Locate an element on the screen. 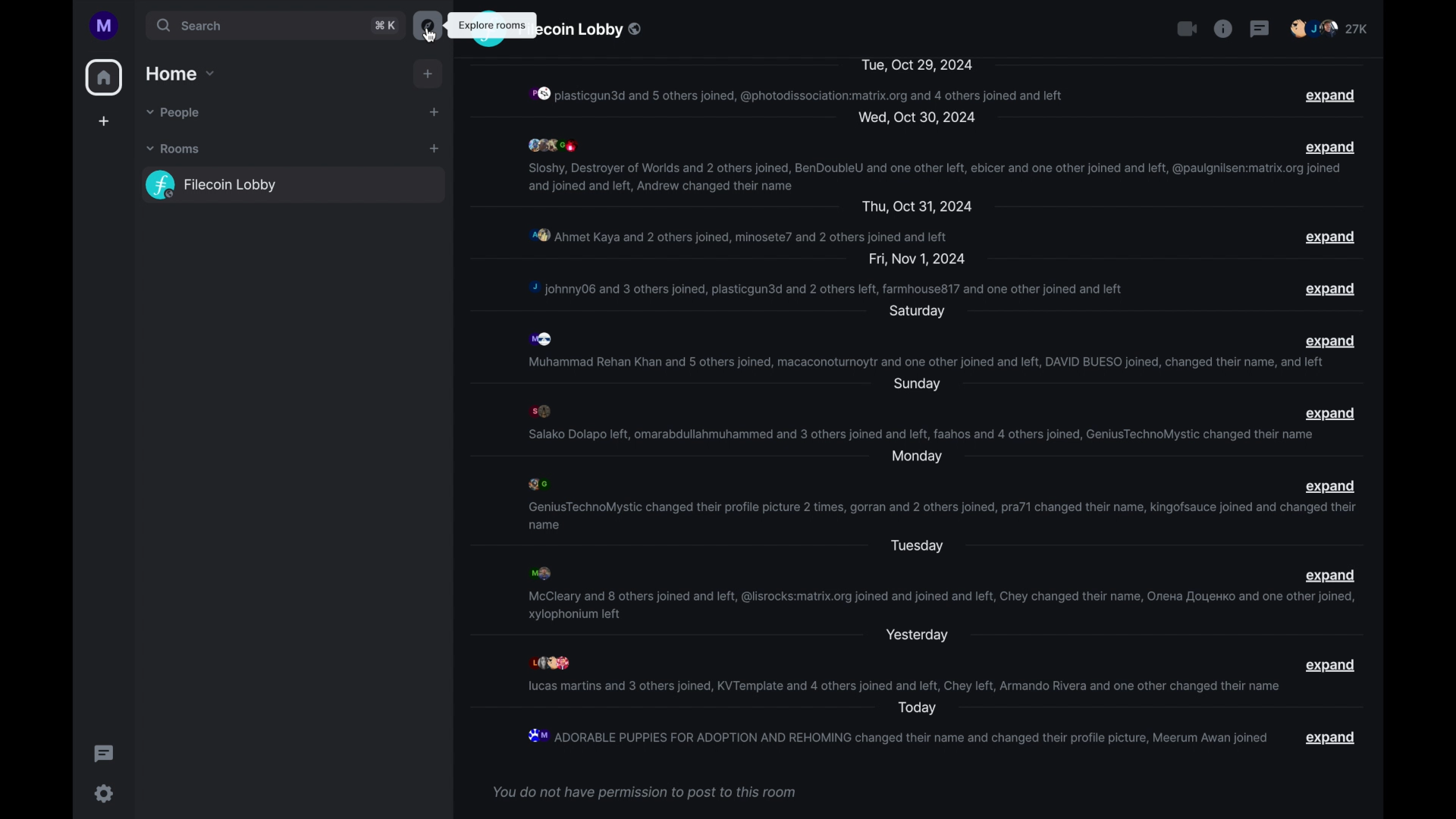  you do not have permission to post to this room is located at coordinates (644, 793).